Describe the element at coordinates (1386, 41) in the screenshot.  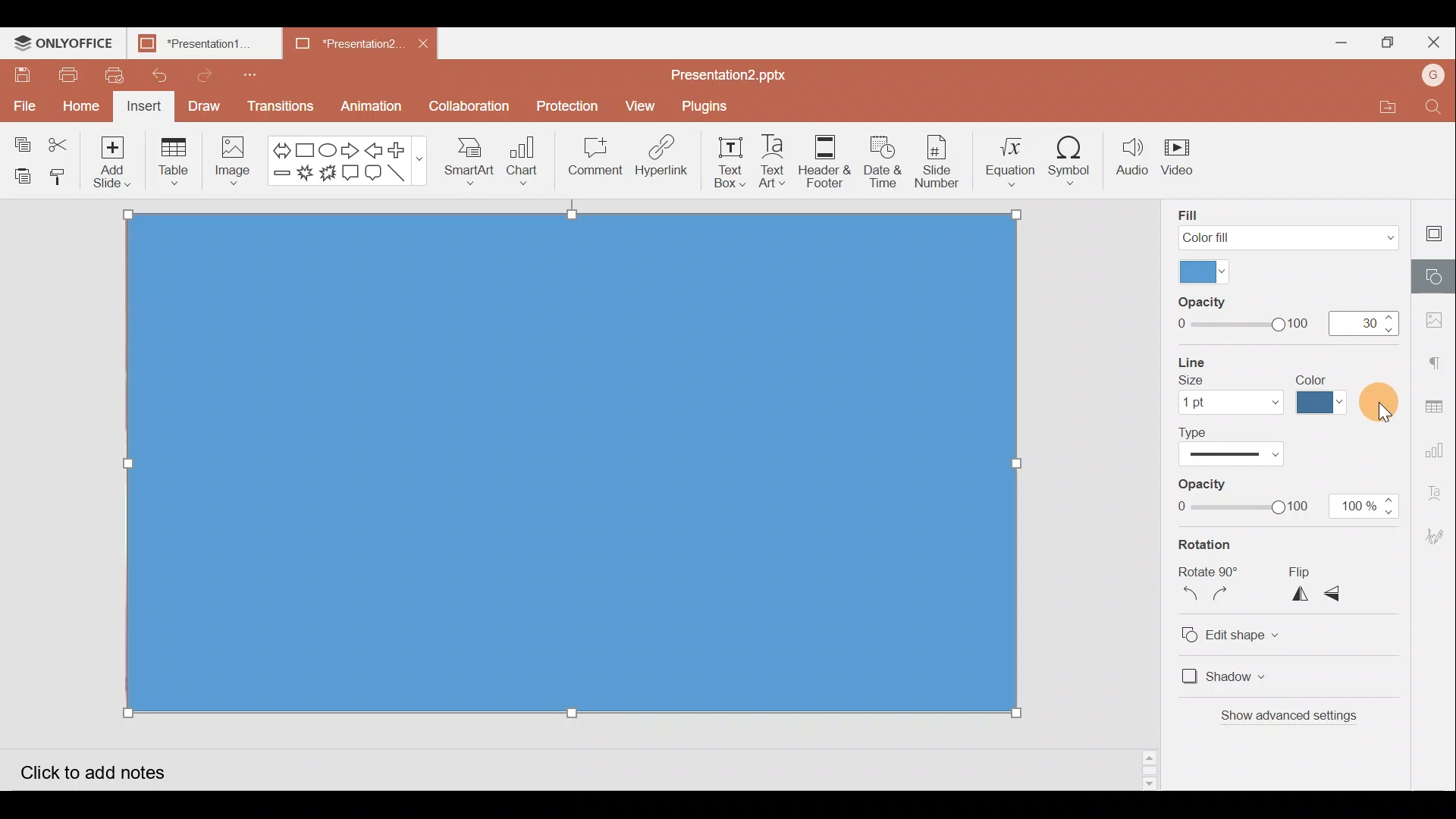
I see `Maximize` at that location.